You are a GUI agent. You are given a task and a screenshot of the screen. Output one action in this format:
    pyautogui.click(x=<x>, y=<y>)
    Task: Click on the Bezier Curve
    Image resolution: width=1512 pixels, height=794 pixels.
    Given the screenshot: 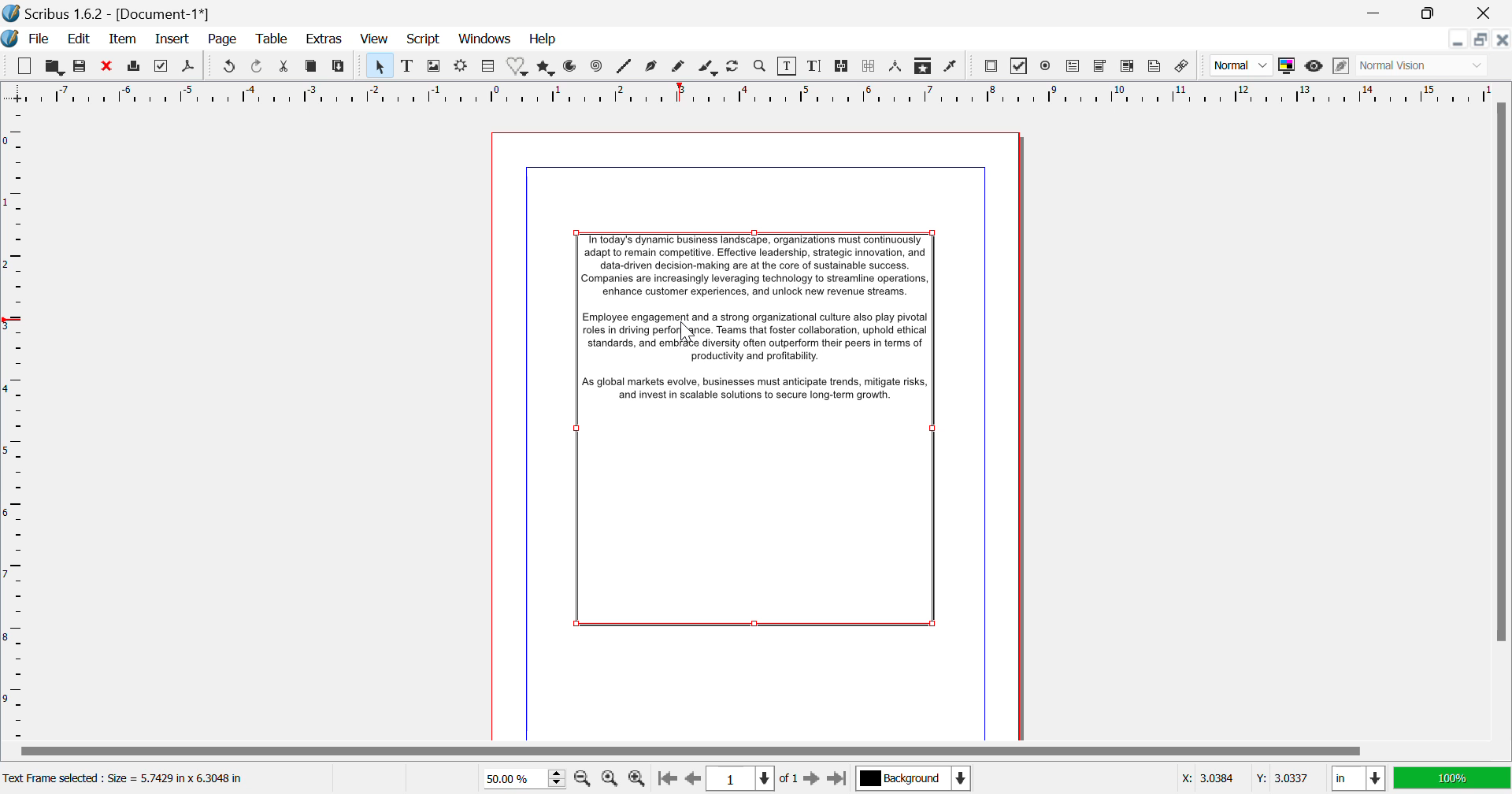 What is the action you would take?
    pyautogui.click(x=650, y=68)
    